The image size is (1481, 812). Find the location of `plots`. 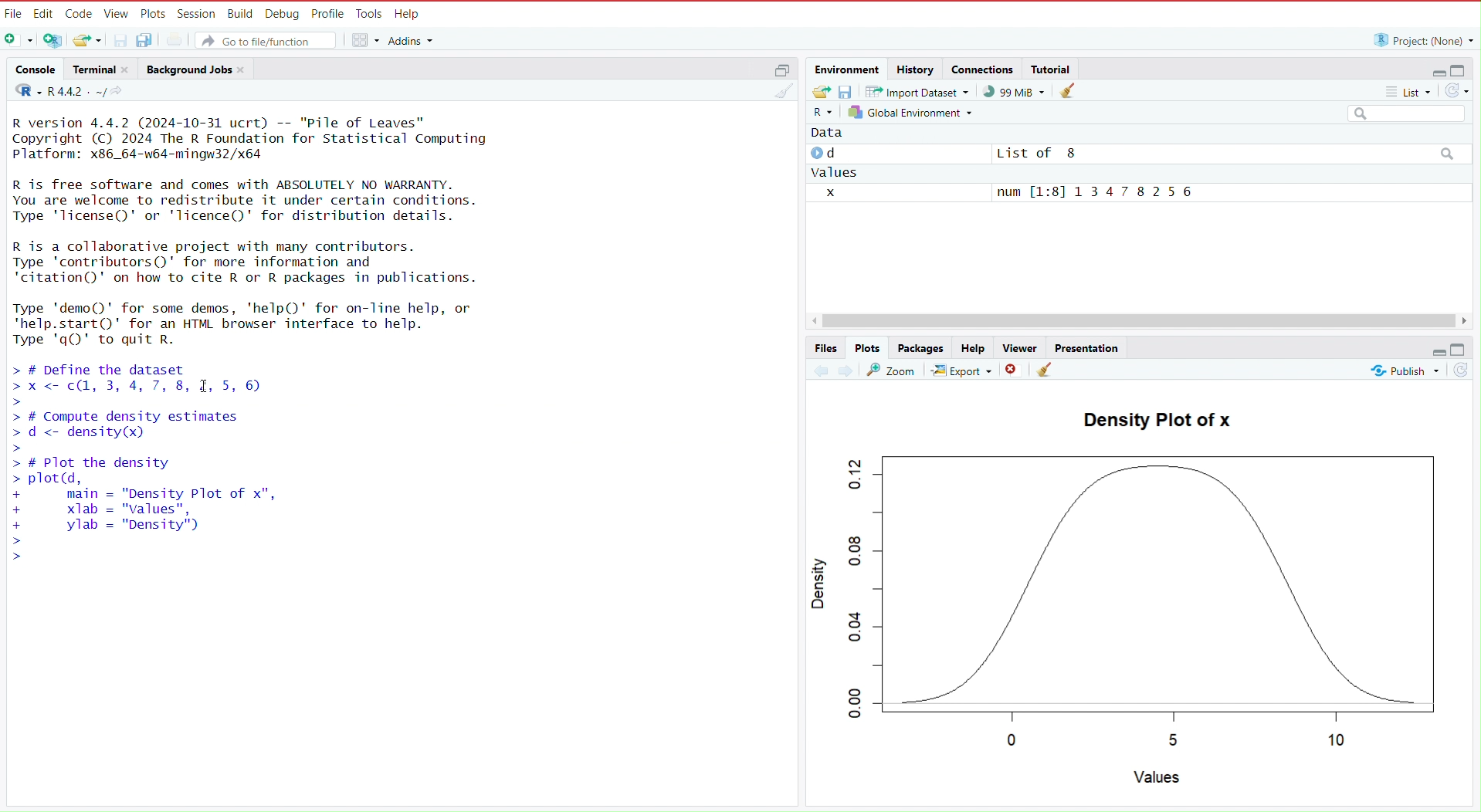

plots is located at coordinates (869, 347).